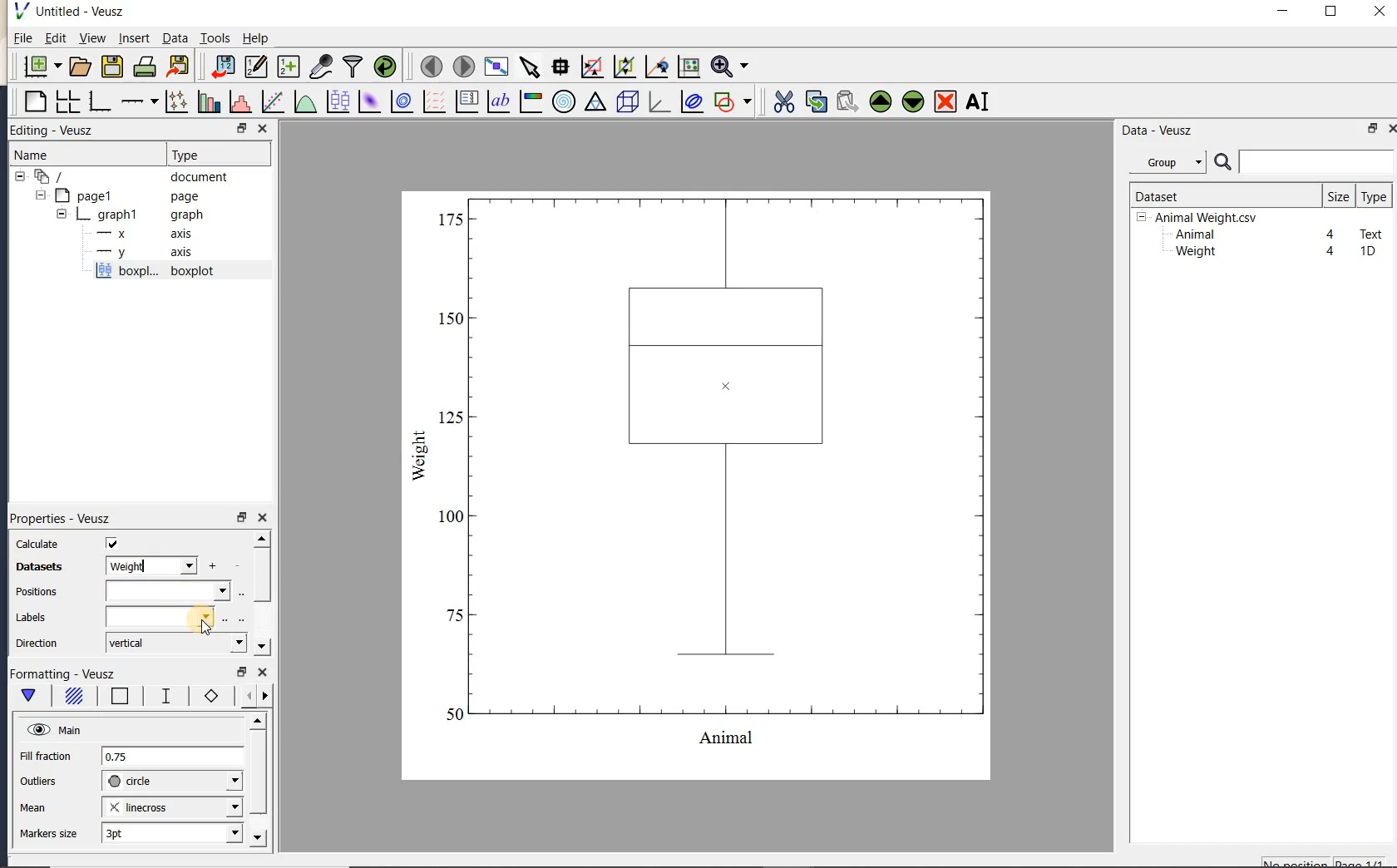 This screenshot has height=868, width=1397. What do you see at coordinates (814, 101) in the screenshot?
I see `copy the selected widget` at bounding box center [814, 101].